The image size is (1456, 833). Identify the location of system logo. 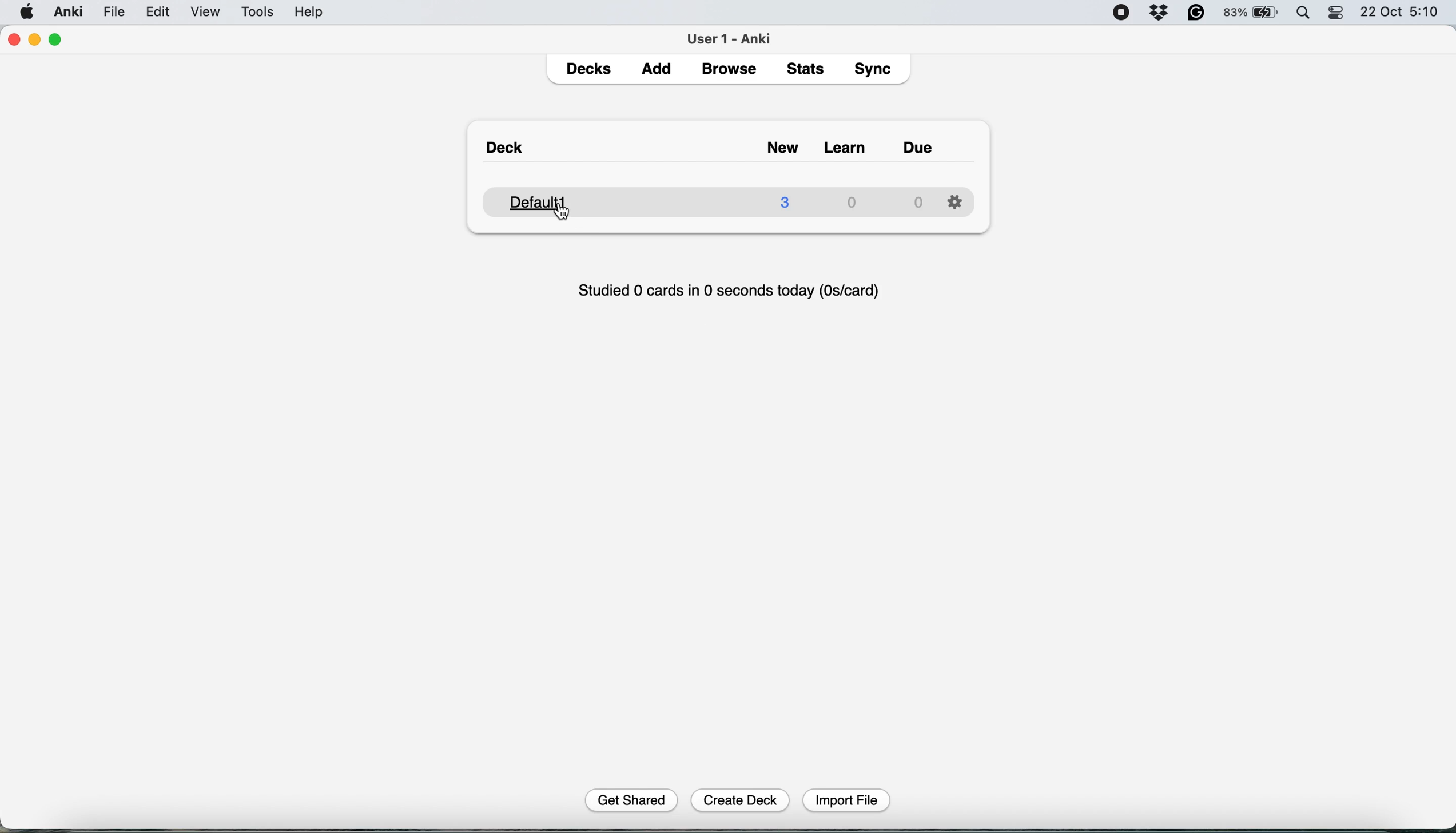
(27, 11).